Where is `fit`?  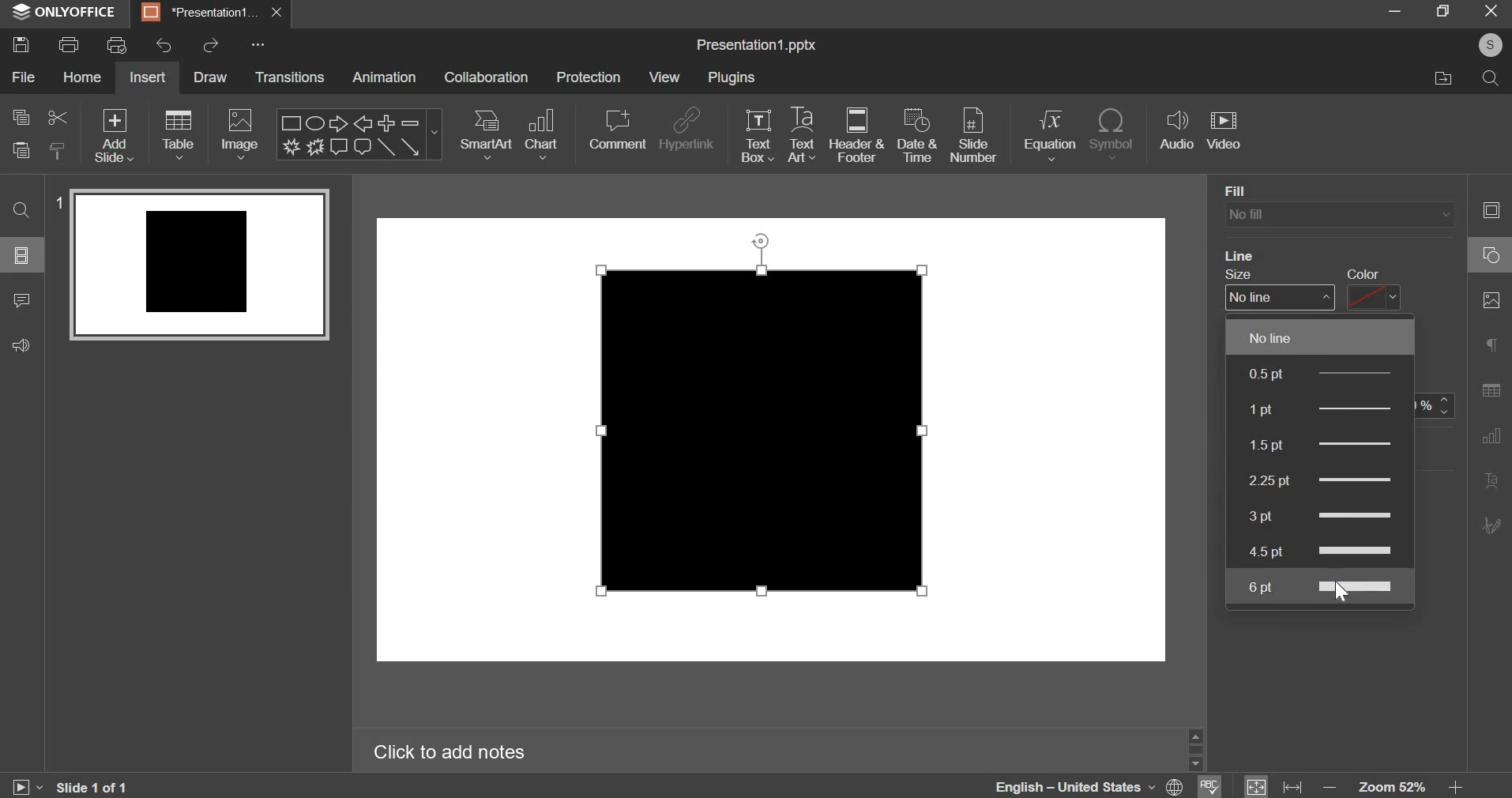
fit is located at coordinates (1269, 784).